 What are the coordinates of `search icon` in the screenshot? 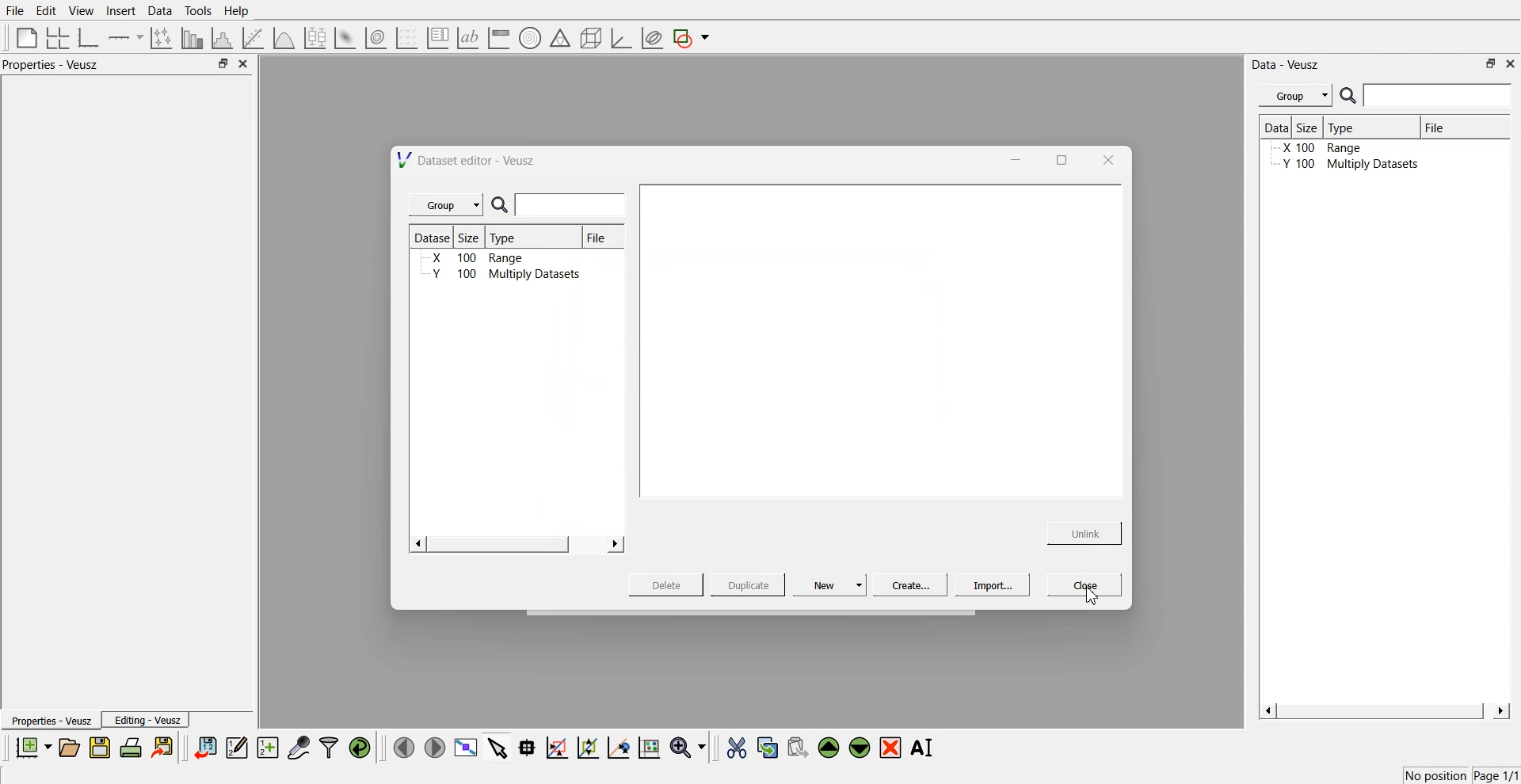 It's located at (503, 206).